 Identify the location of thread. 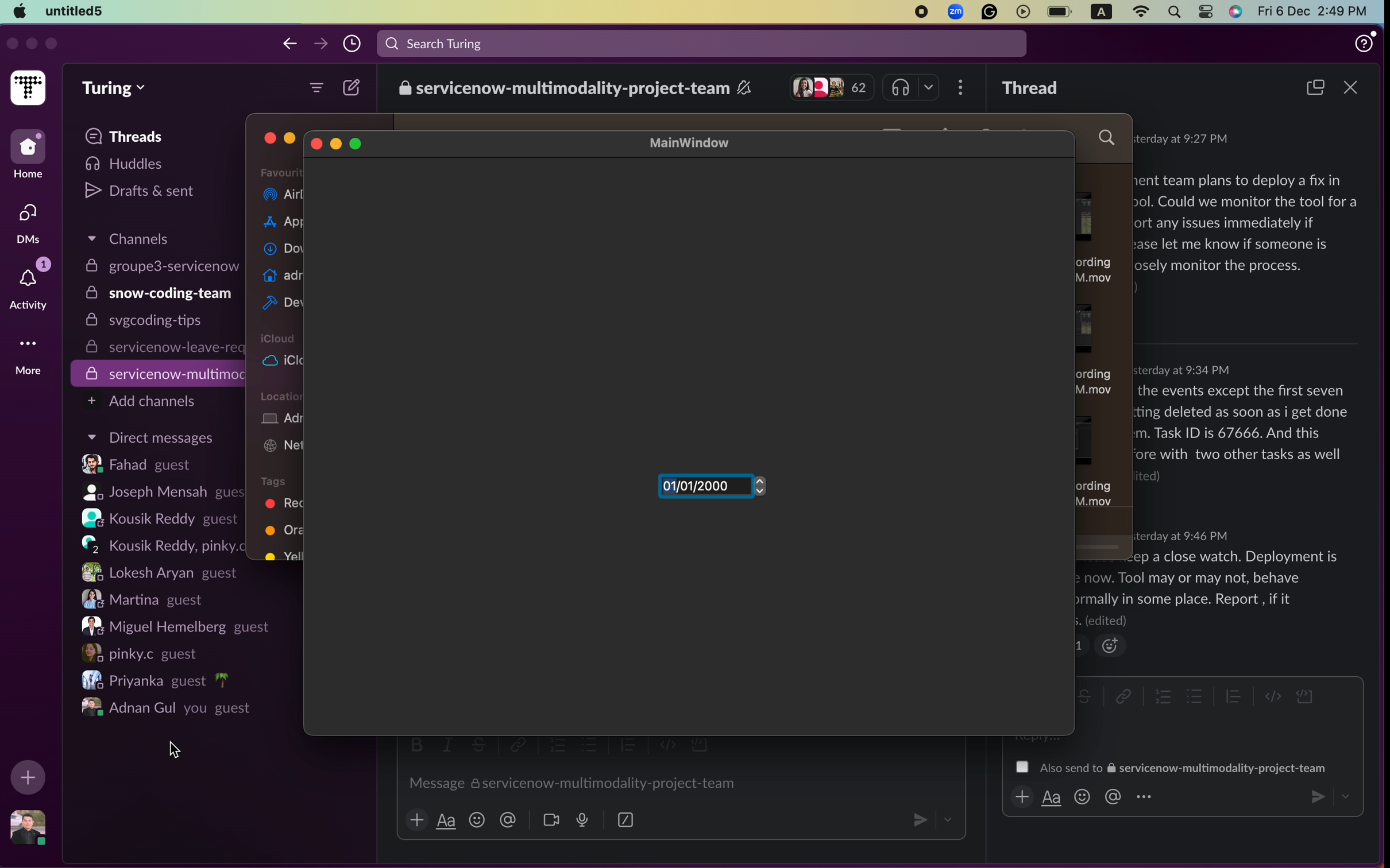
(1032, 88).